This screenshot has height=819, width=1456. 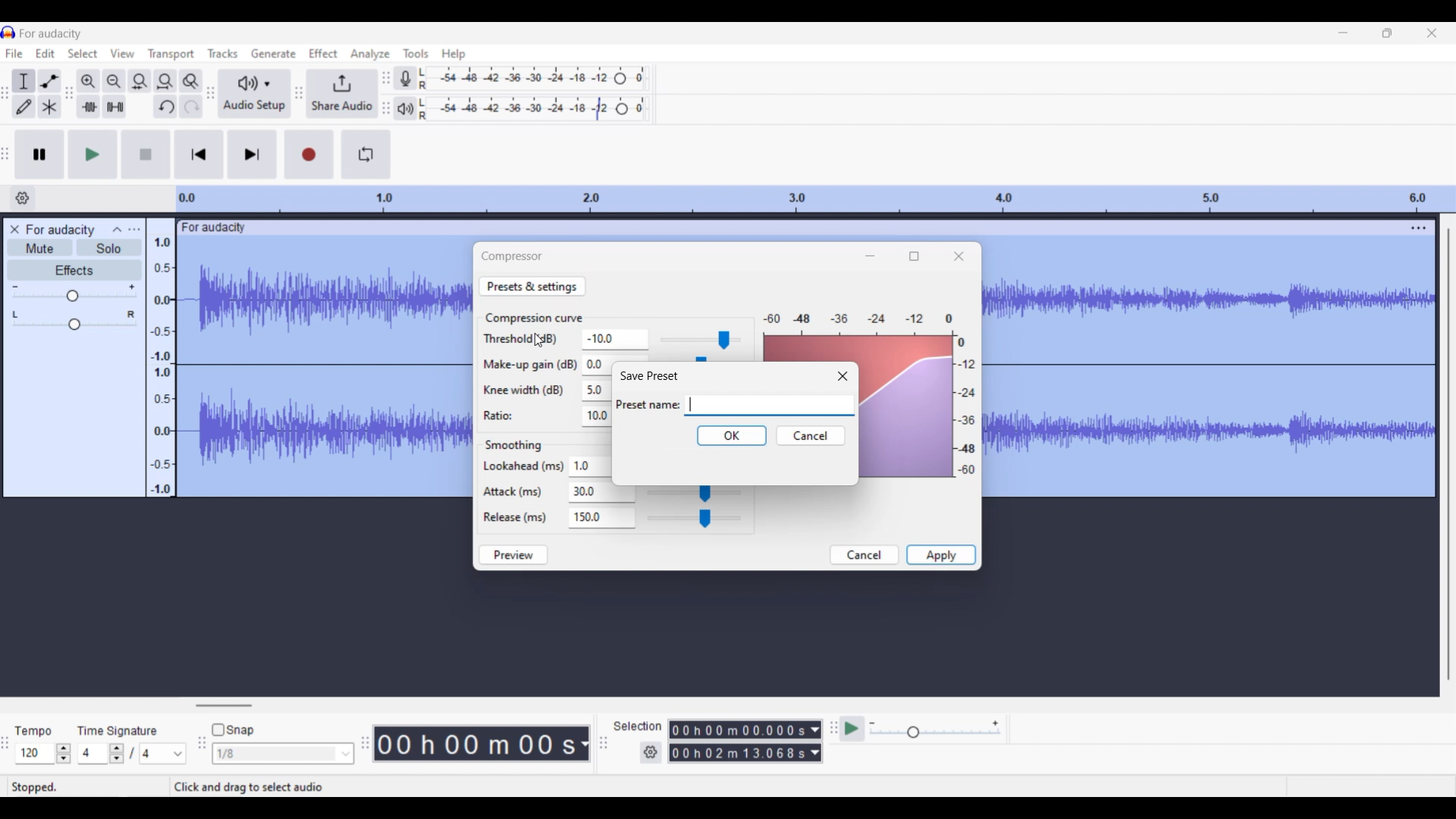 I want to click on Draw tool, so click(x=24, y=107).